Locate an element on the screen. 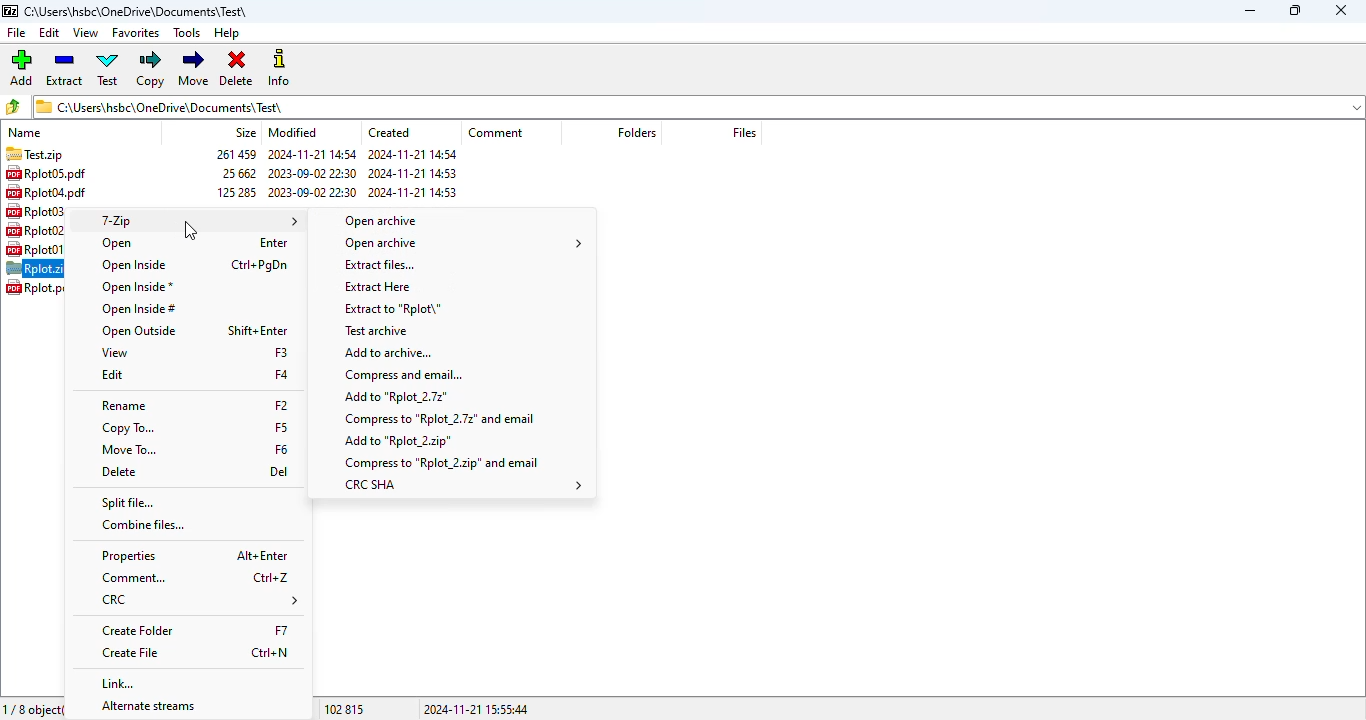  delete is located at coordinates (120, 472).